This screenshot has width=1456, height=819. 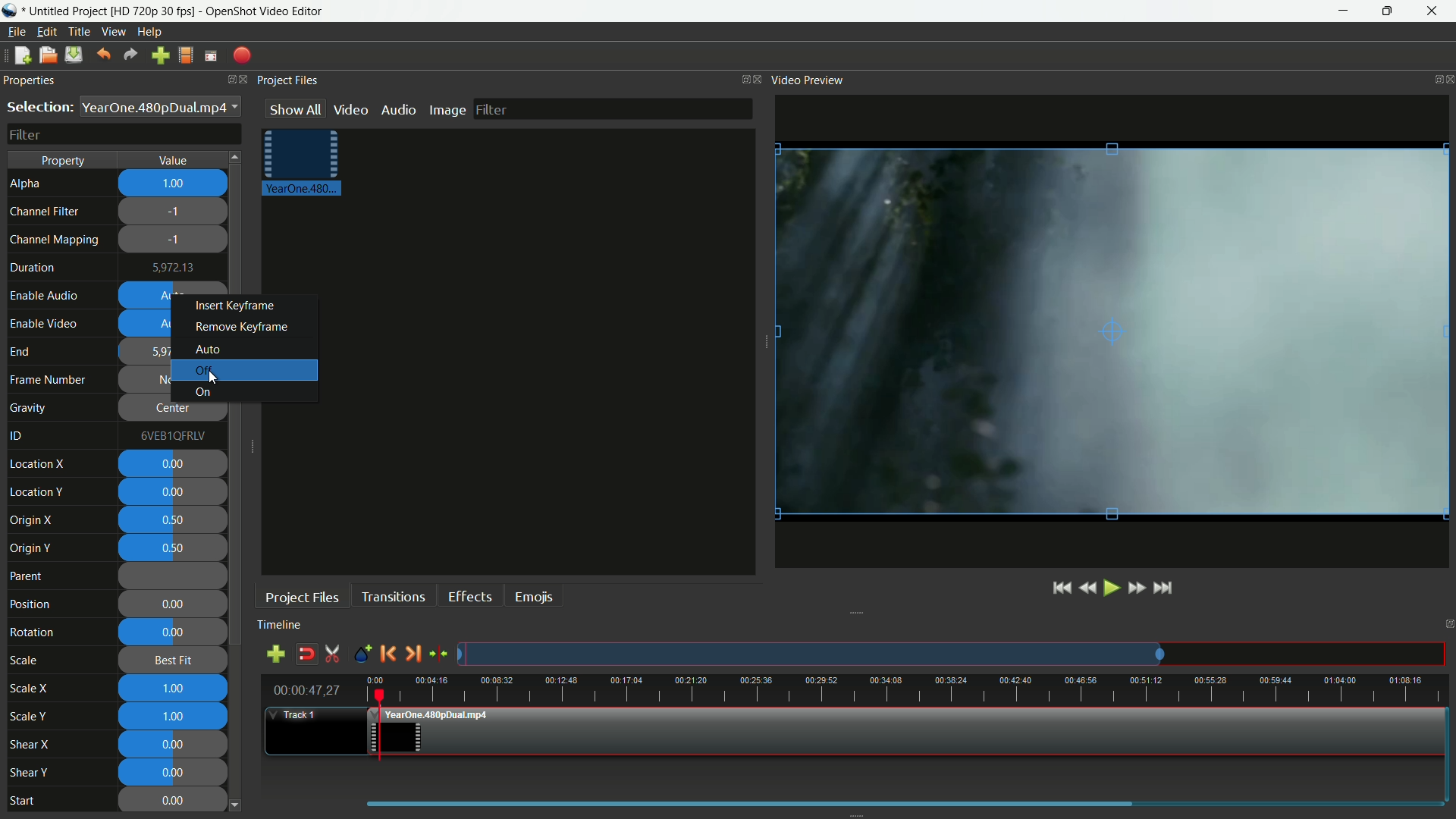 I want to click on shear y, so click(x=29, y=773).